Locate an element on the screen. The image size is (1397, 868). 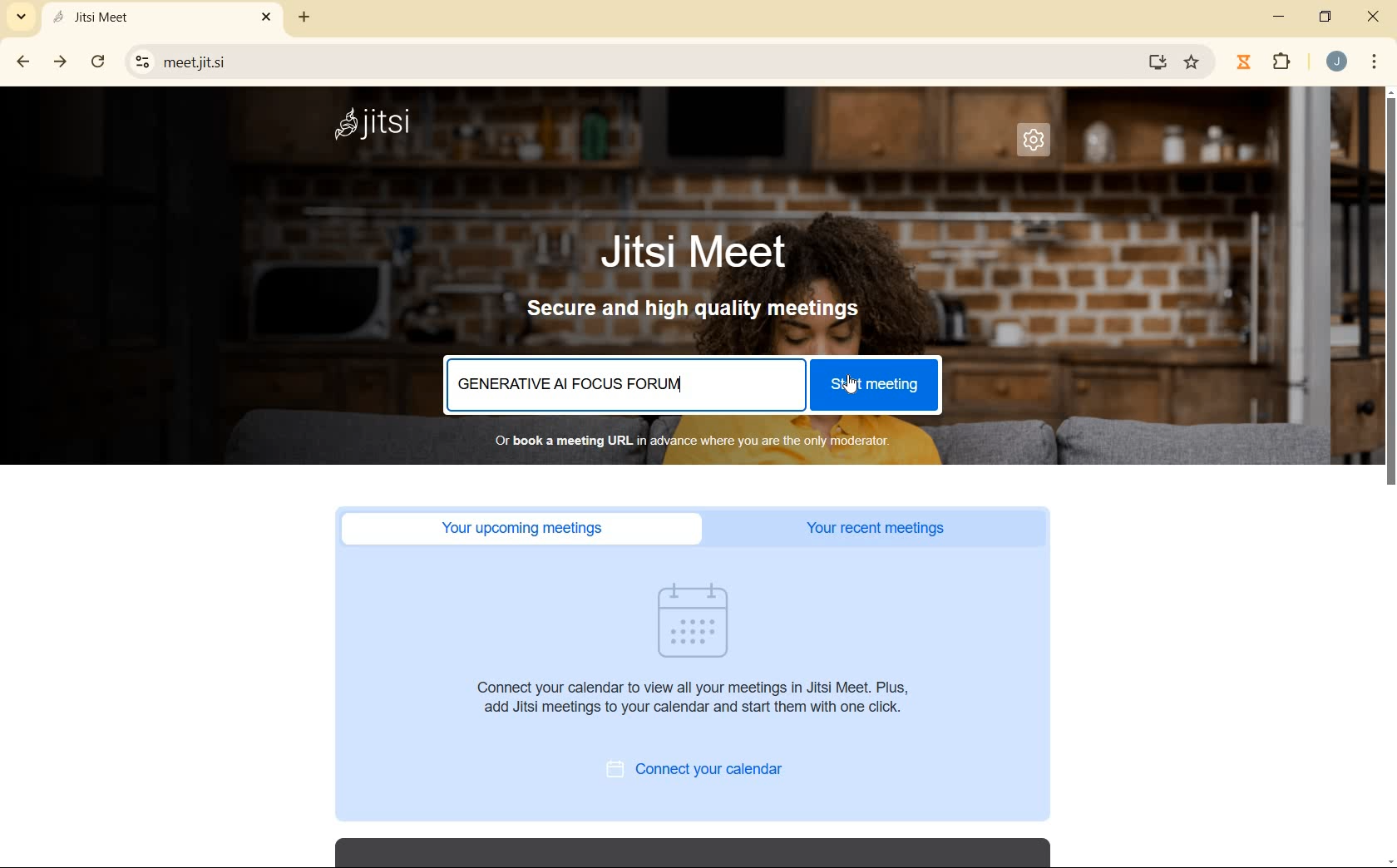
back is located at coordinates (19, 62).